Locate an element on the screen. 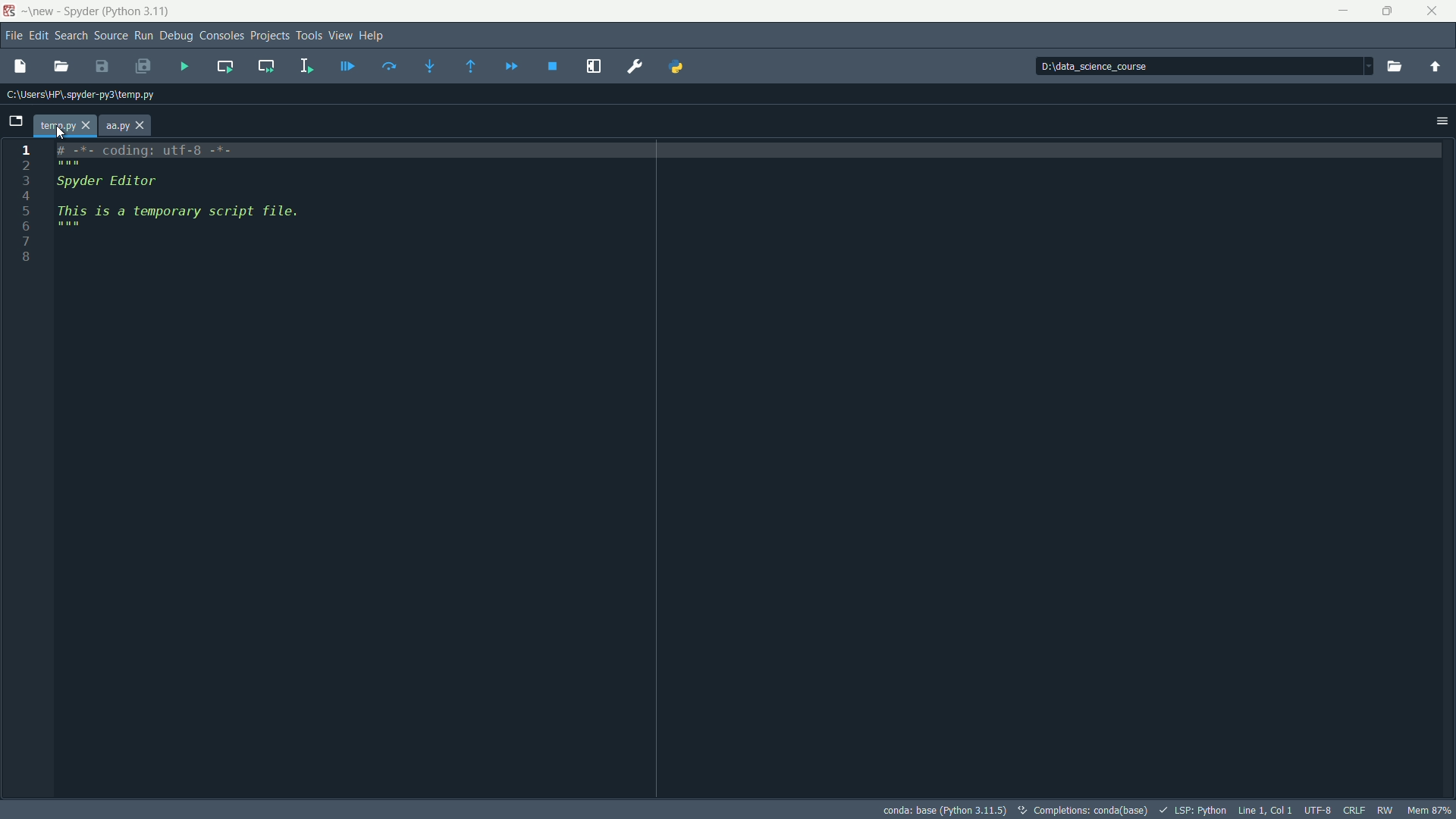 The width and height of the screenshot is (1456, 819). maximize current pane is located at coordinates (595, 67).